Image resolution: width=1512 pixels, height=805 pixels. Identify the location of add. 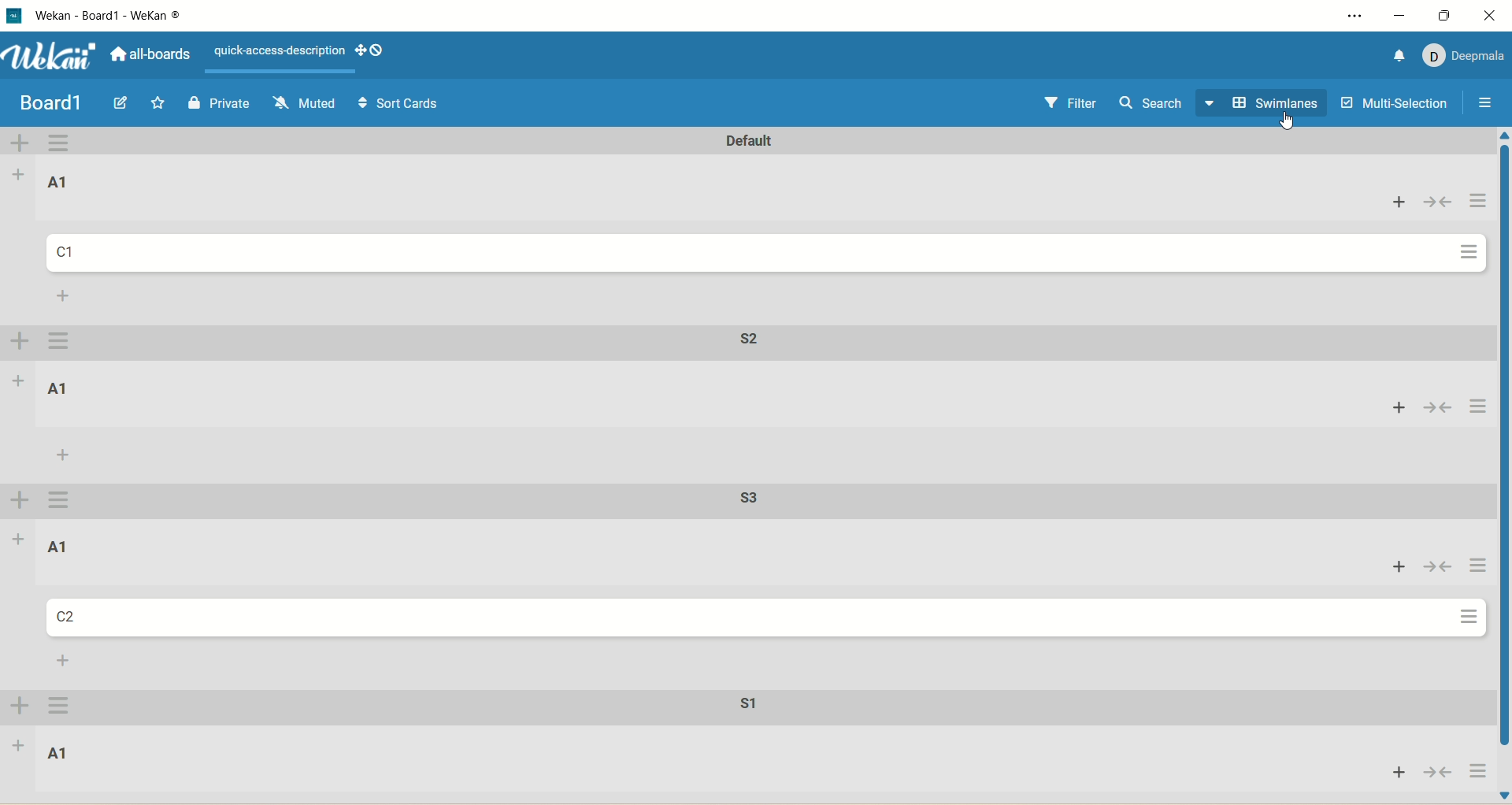
(1395, 568).